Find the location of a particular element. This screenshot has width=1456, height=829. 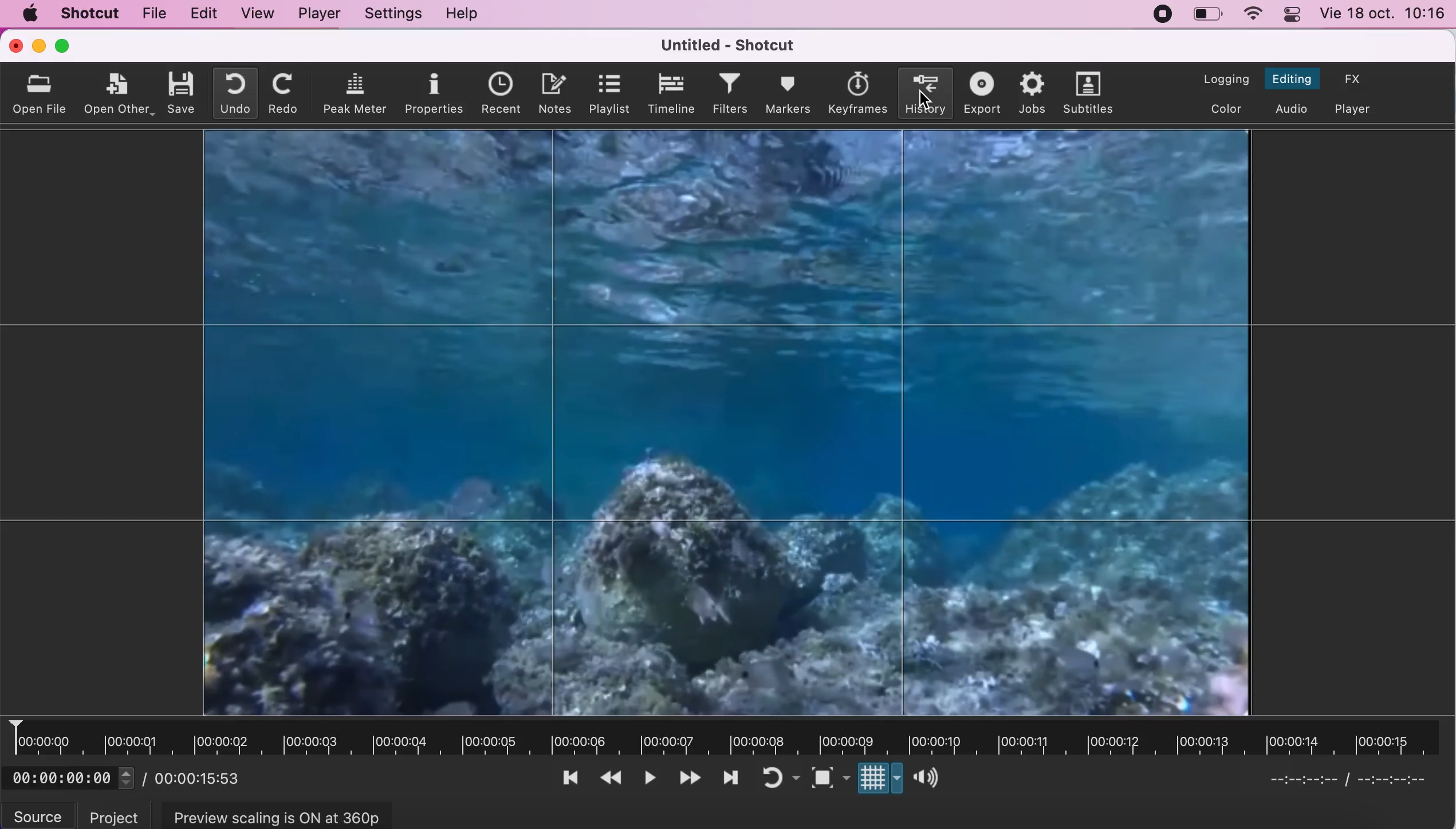

Untitled - Shotcut is located at coordinates (733, 44).